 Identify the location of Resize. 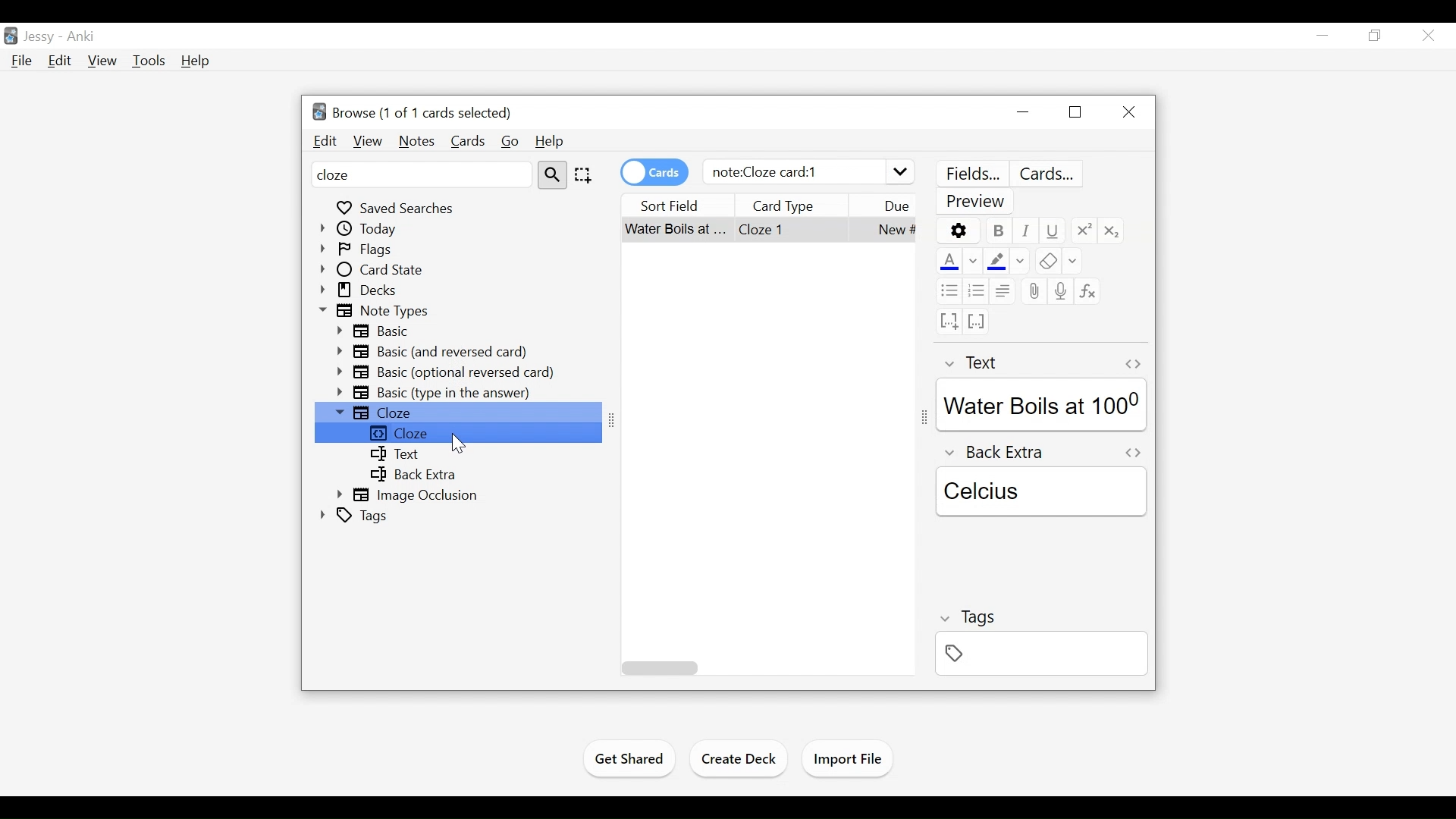
(923, 419).